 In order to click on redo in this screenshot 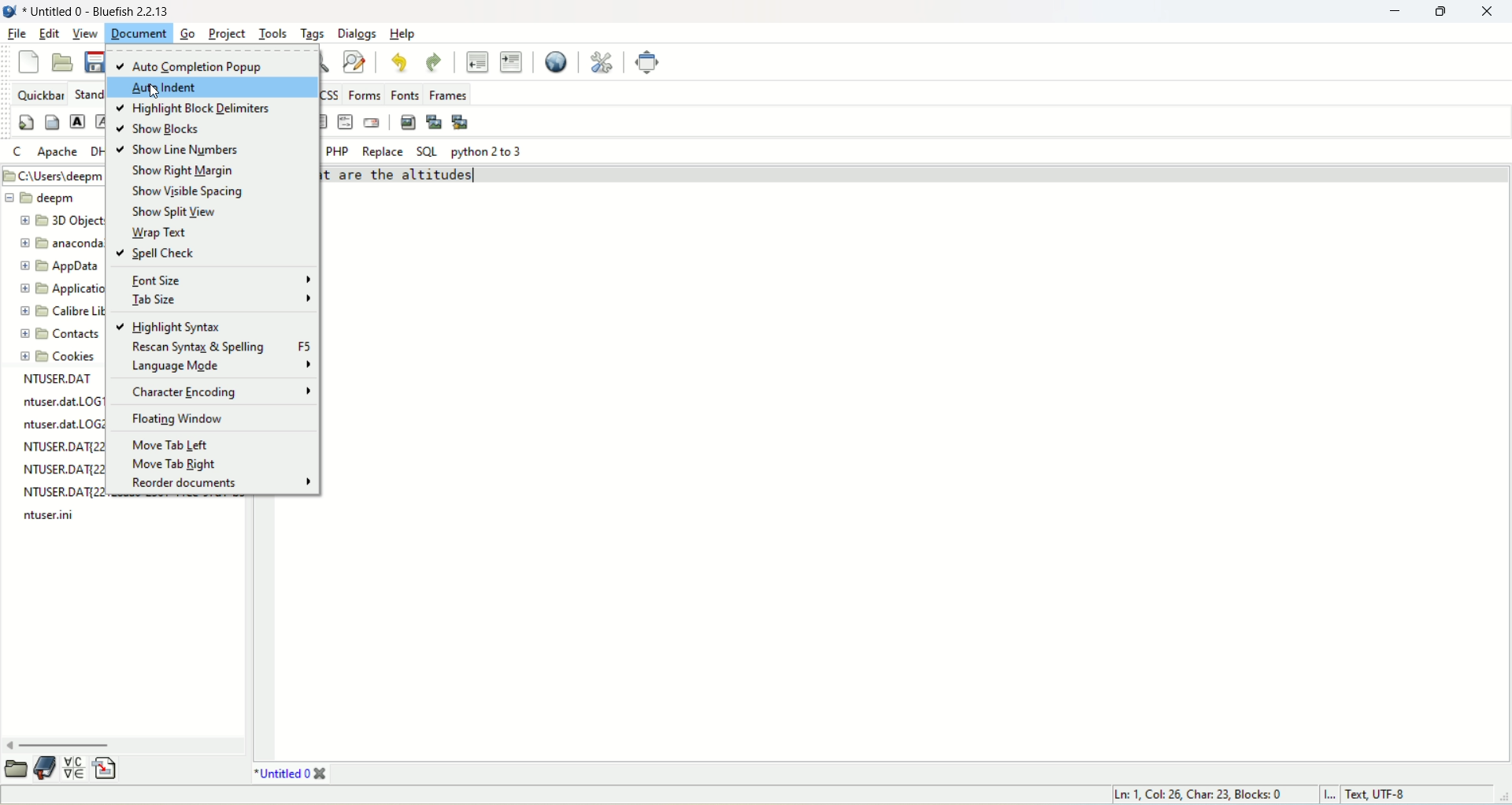, I will do `click(435, 63)`.